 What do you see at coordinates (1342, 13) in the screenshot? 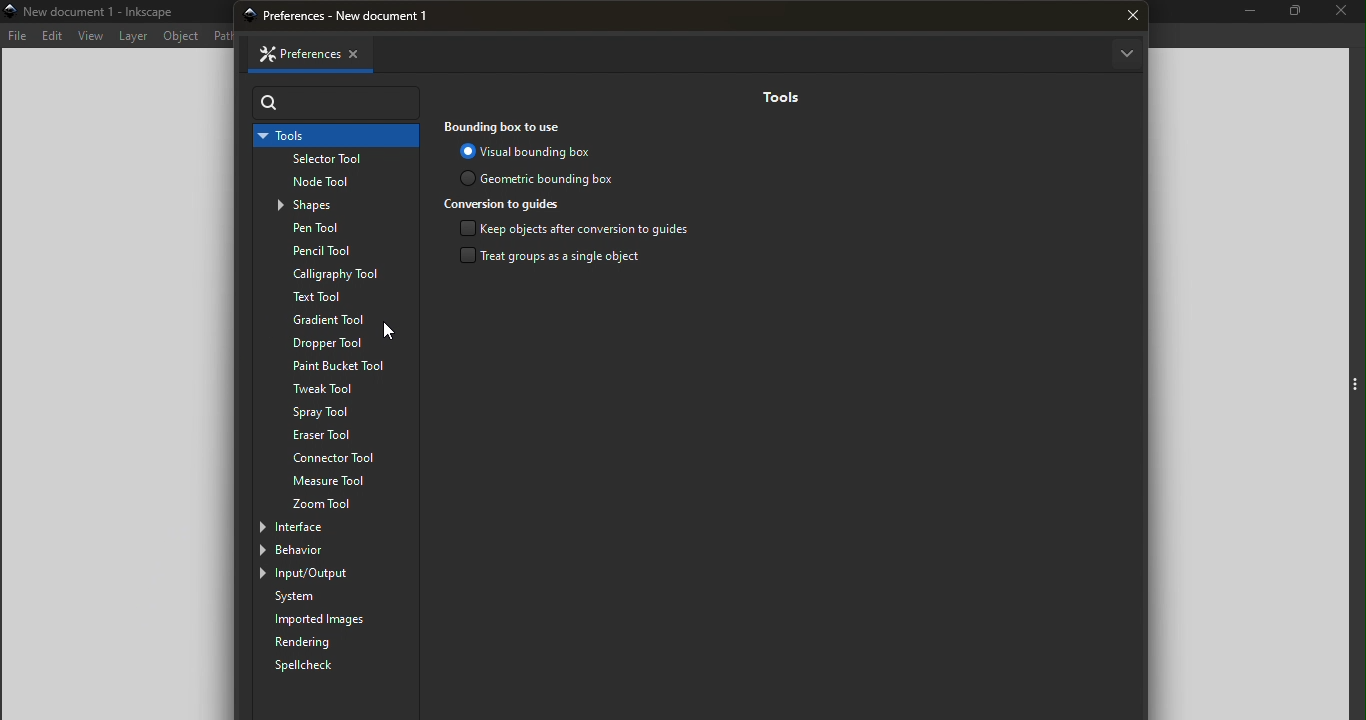
I see `Close` at bounding box center [1342, 13].